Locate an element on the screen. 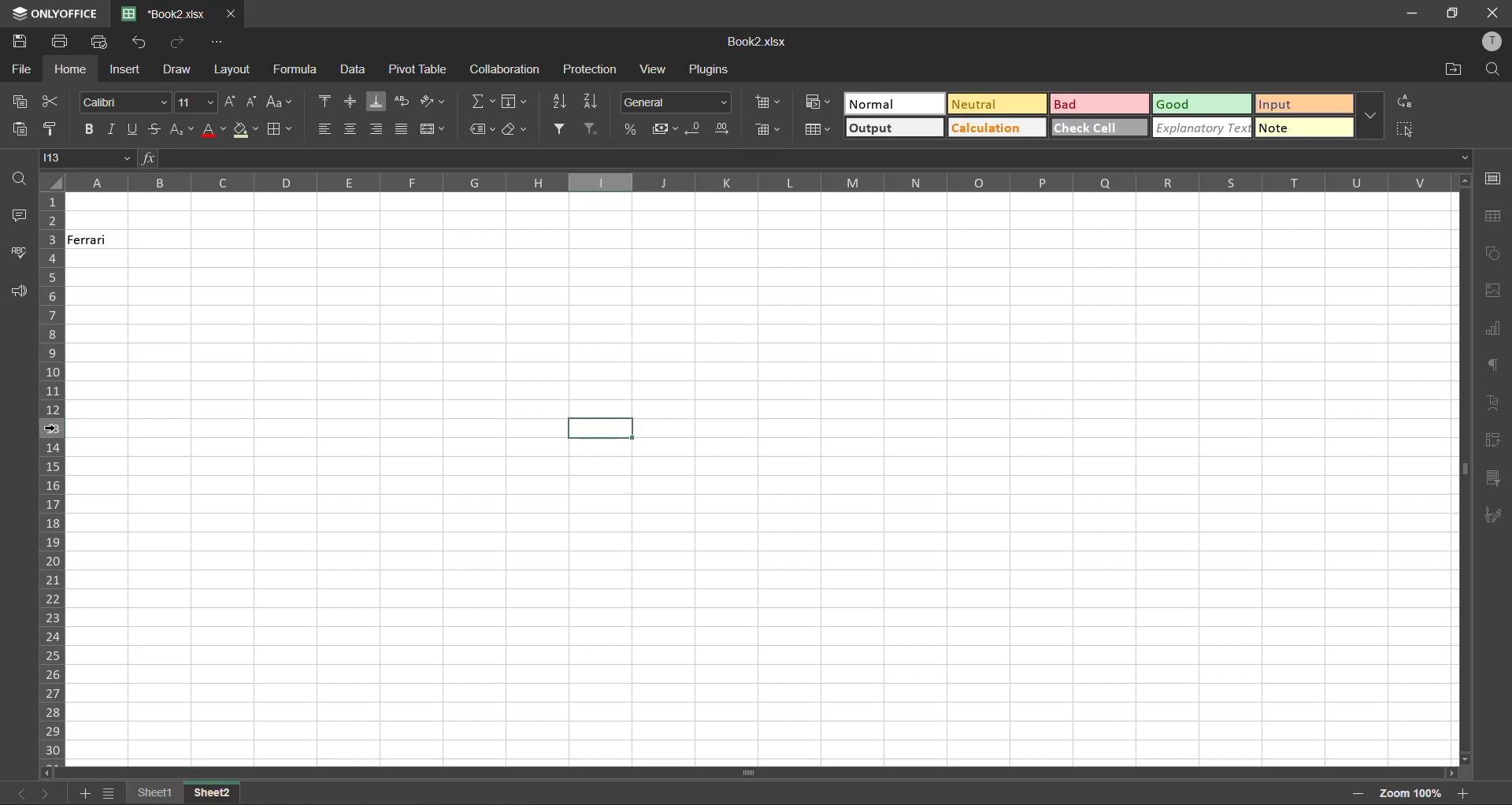 The width and height of the screenshot is (1512, 805). find is located at coordinates (14, 178).